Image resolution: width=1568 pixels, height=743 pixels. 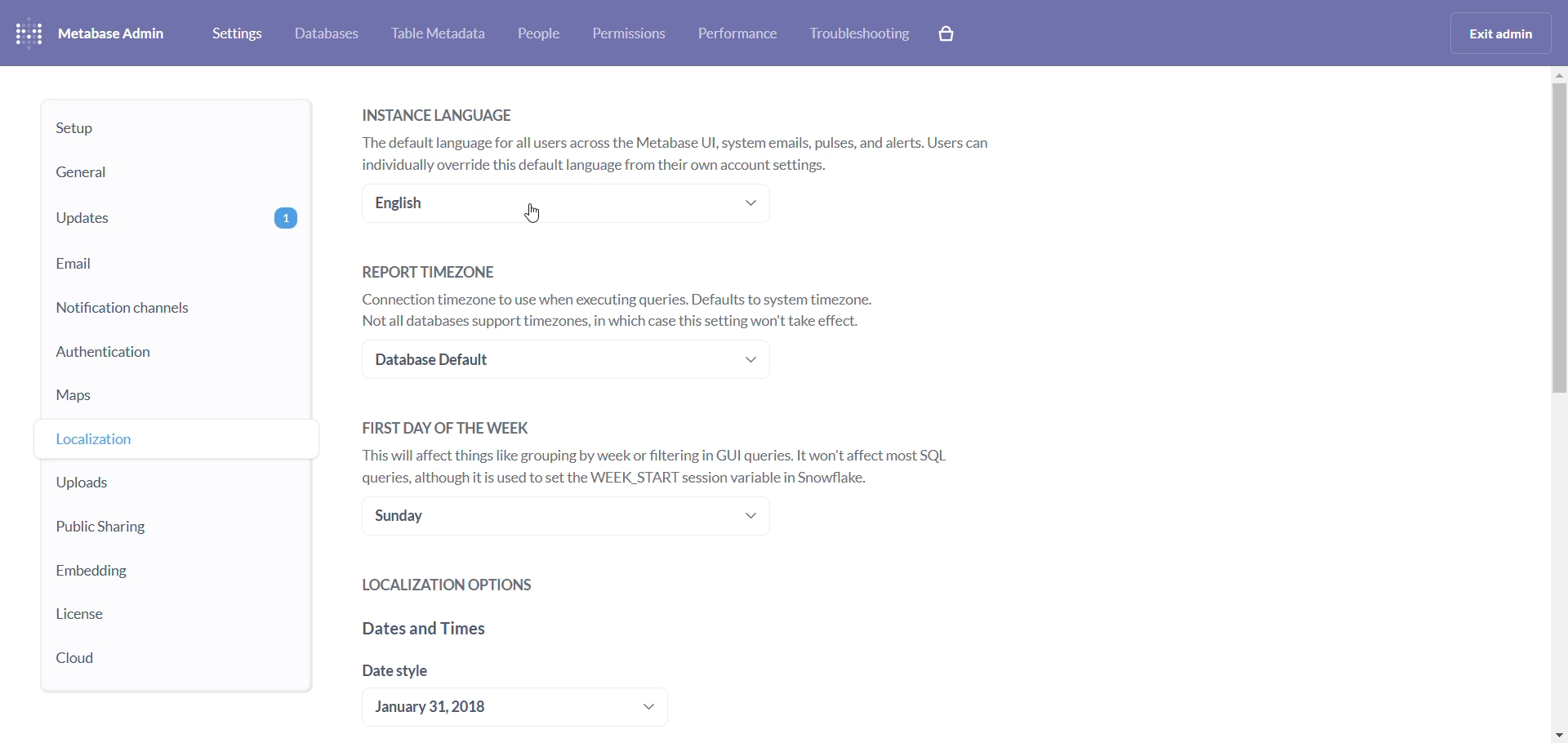 I want to click on cloud, so click(x=155, y=654).